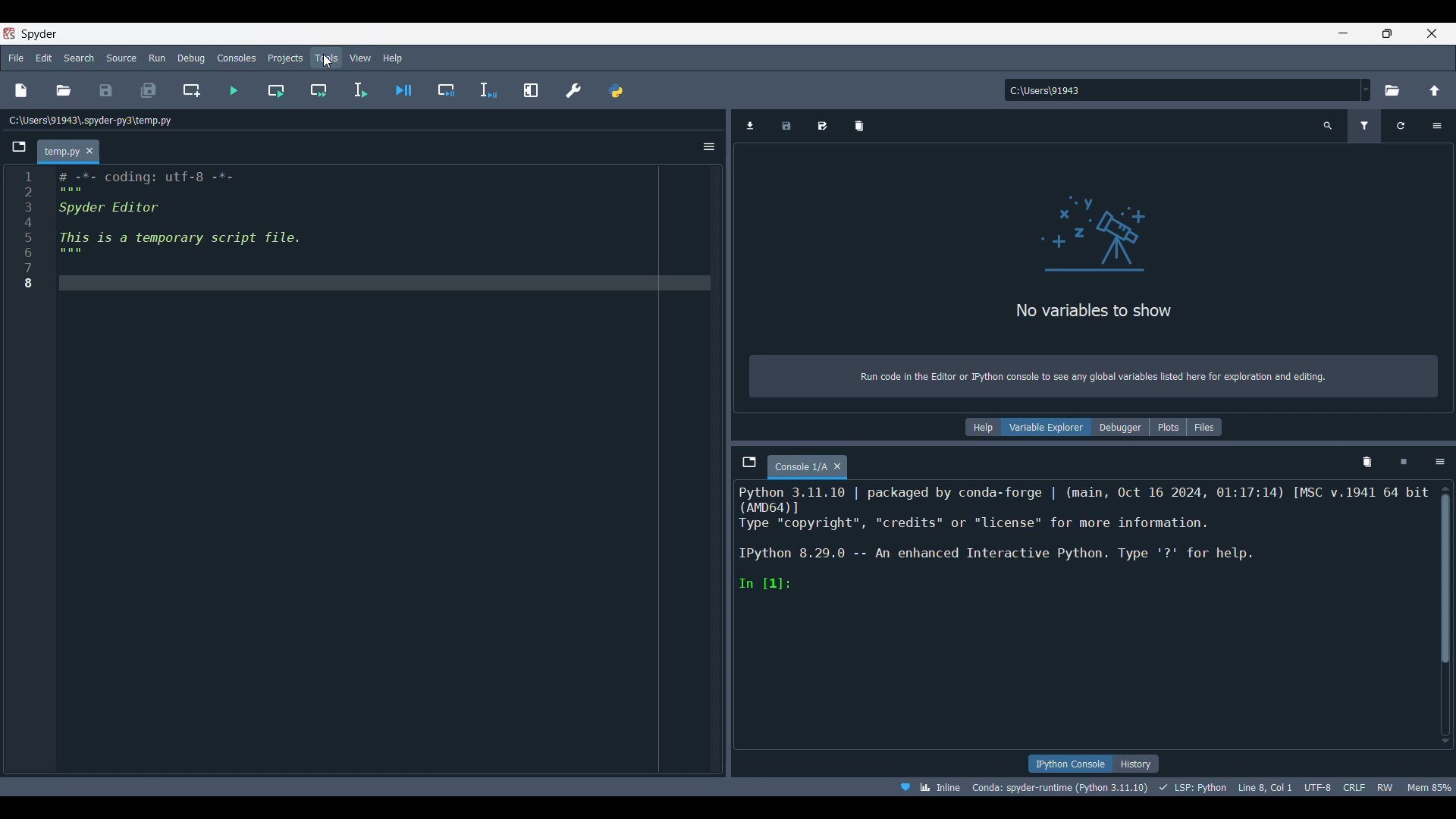 This screenshot has width=1456, height=819. Describe the element at coordinates (318, 90) in the screenshot. I see `Run current cell and go to the next one` at that location.